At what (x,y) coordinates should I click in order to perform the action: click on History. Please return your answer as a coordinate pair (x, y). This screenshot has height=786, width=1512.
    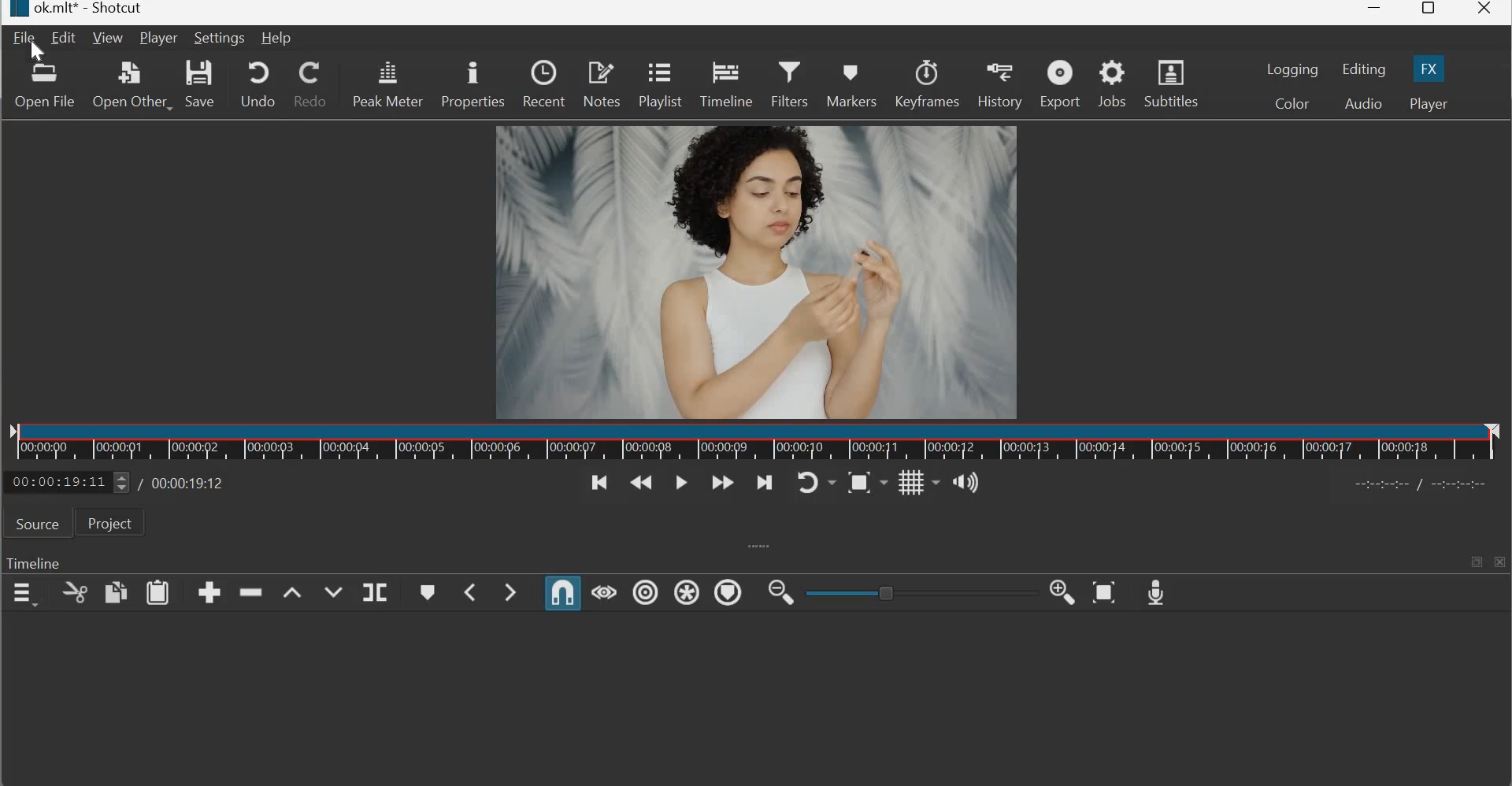
    Looking at the image, I should click on (999, 83).